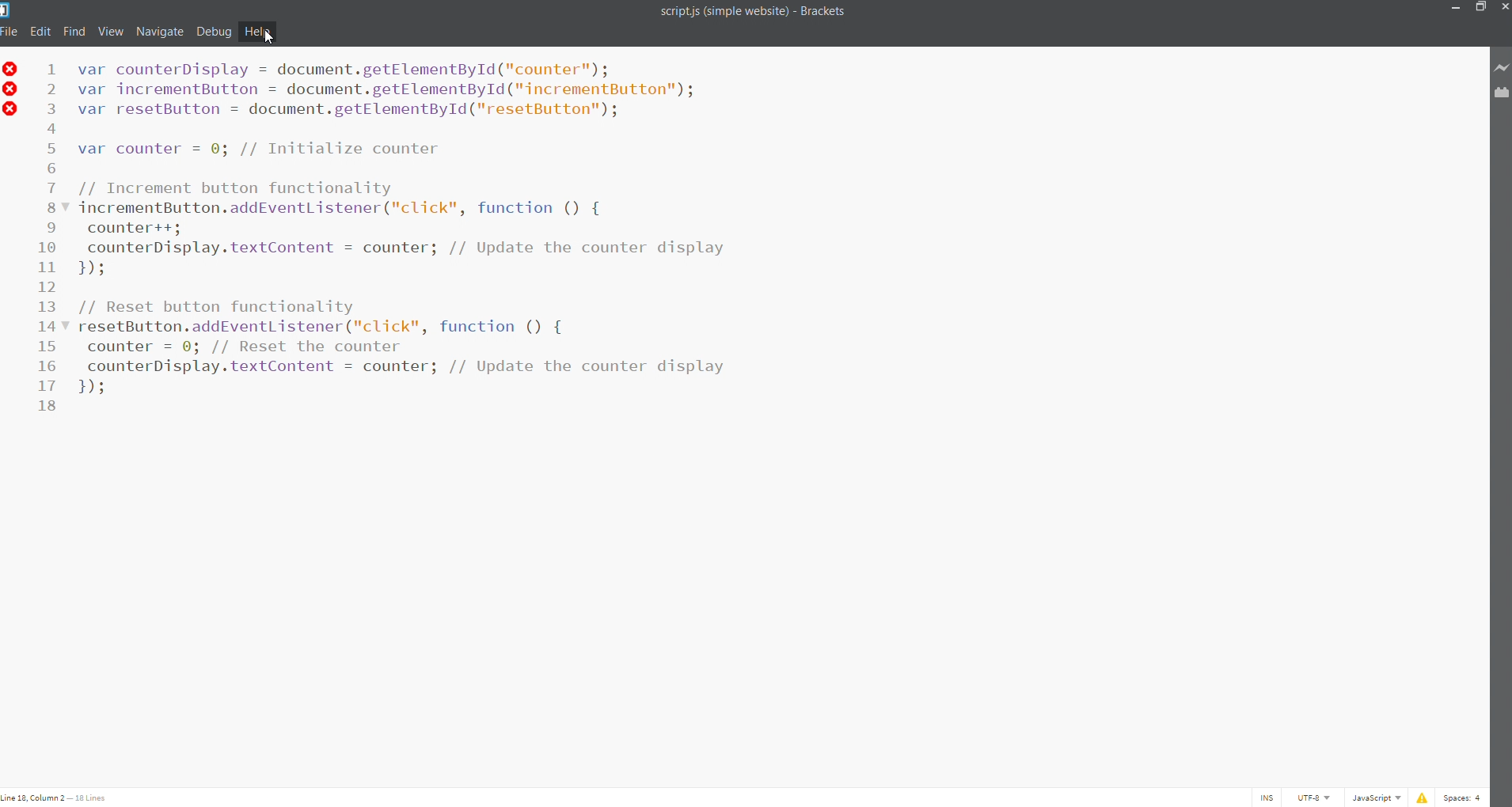 The image size is (1512, 807). I want to click on navigate, so click(161, 30).